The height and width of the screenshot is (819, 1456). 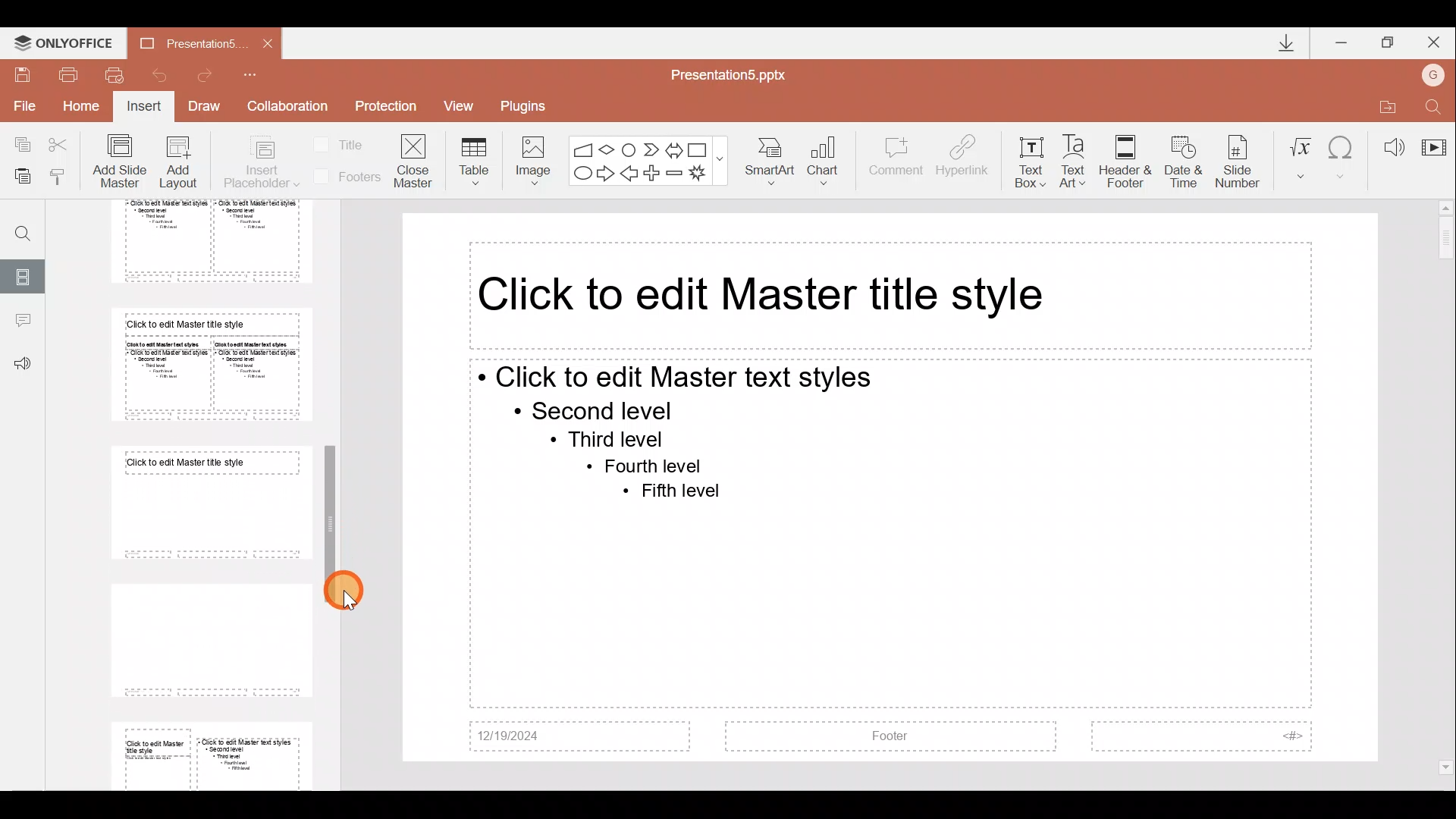 I want to click on Slides, so click(x=24, y=275).